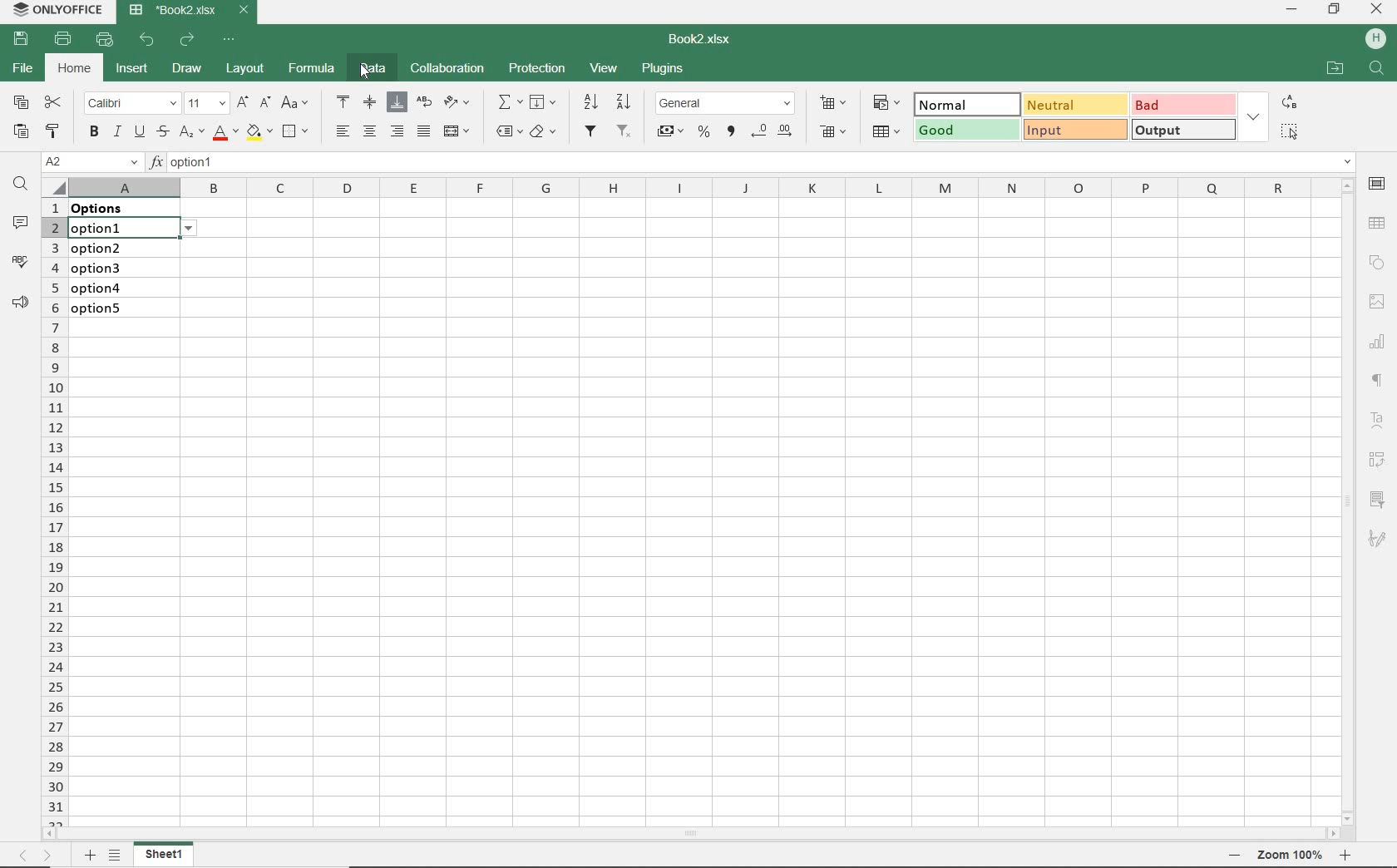  What do you see at coordinates (589, 101) in the screenshot?
I see `SORT DESCENDING` at bounding box center [589, 101].